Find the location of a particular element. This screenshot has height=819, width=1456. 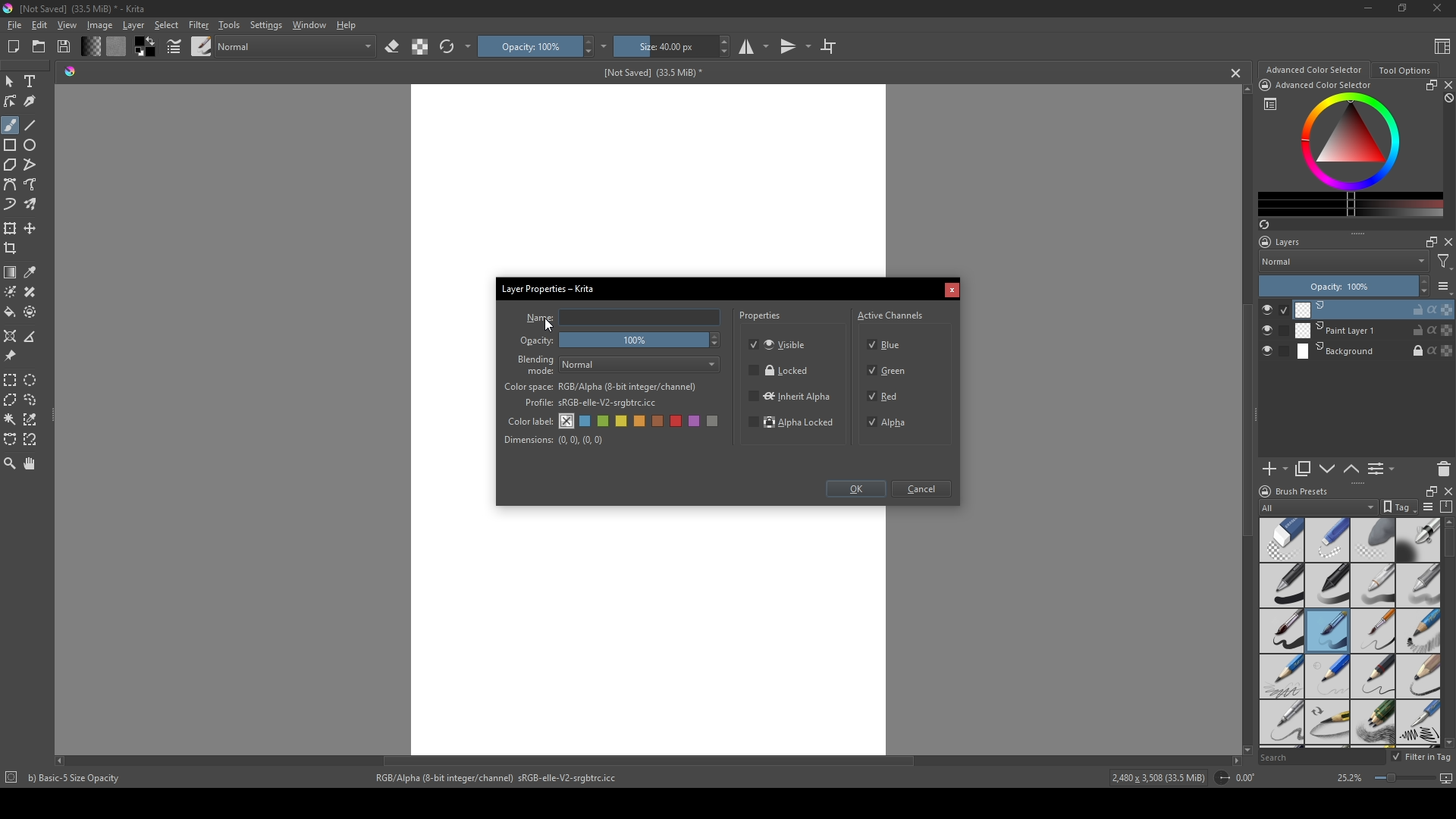

logo is located at coordinates (9, 8).